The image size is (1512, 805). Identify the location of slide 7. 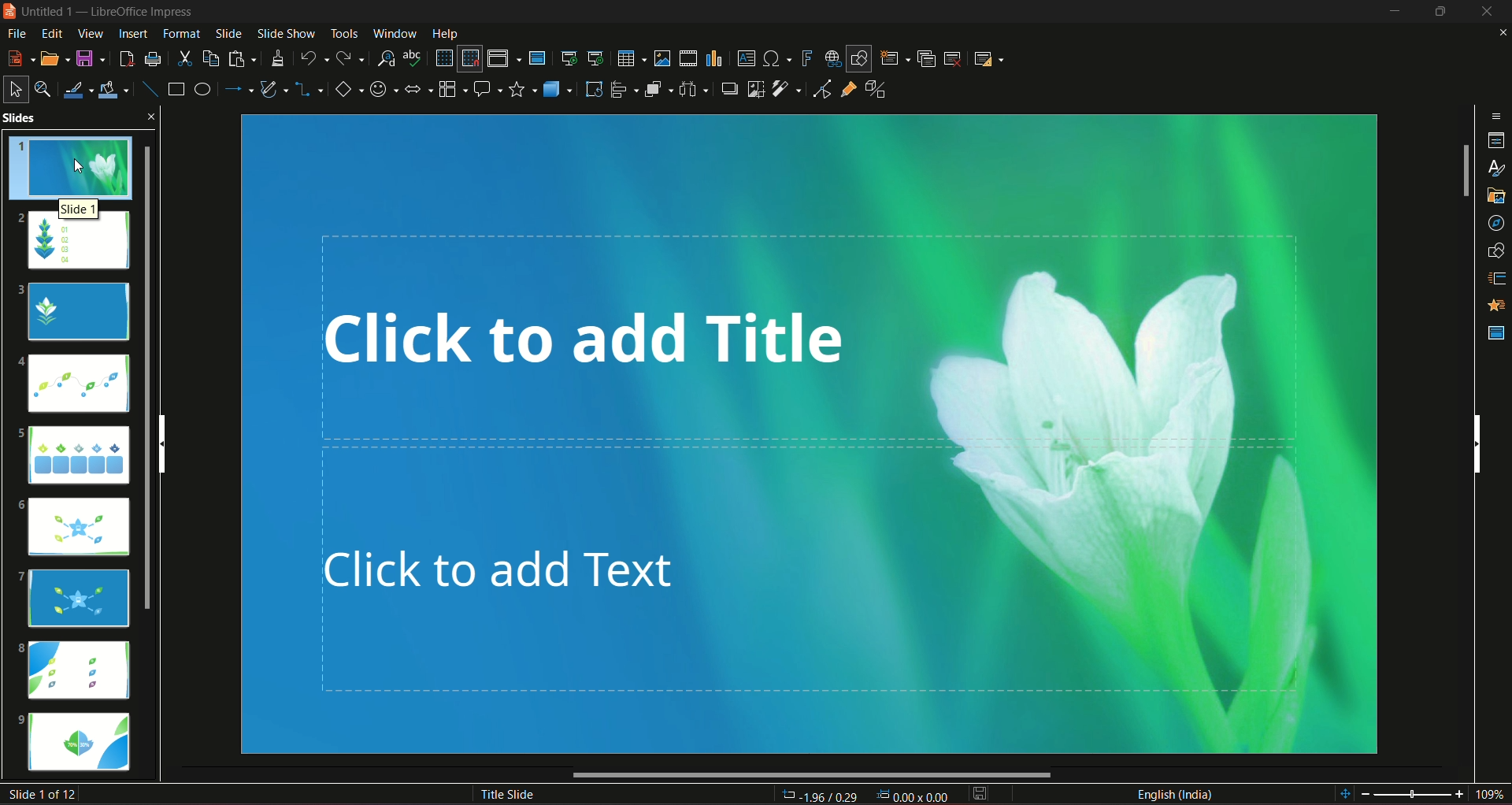
(77, 597).